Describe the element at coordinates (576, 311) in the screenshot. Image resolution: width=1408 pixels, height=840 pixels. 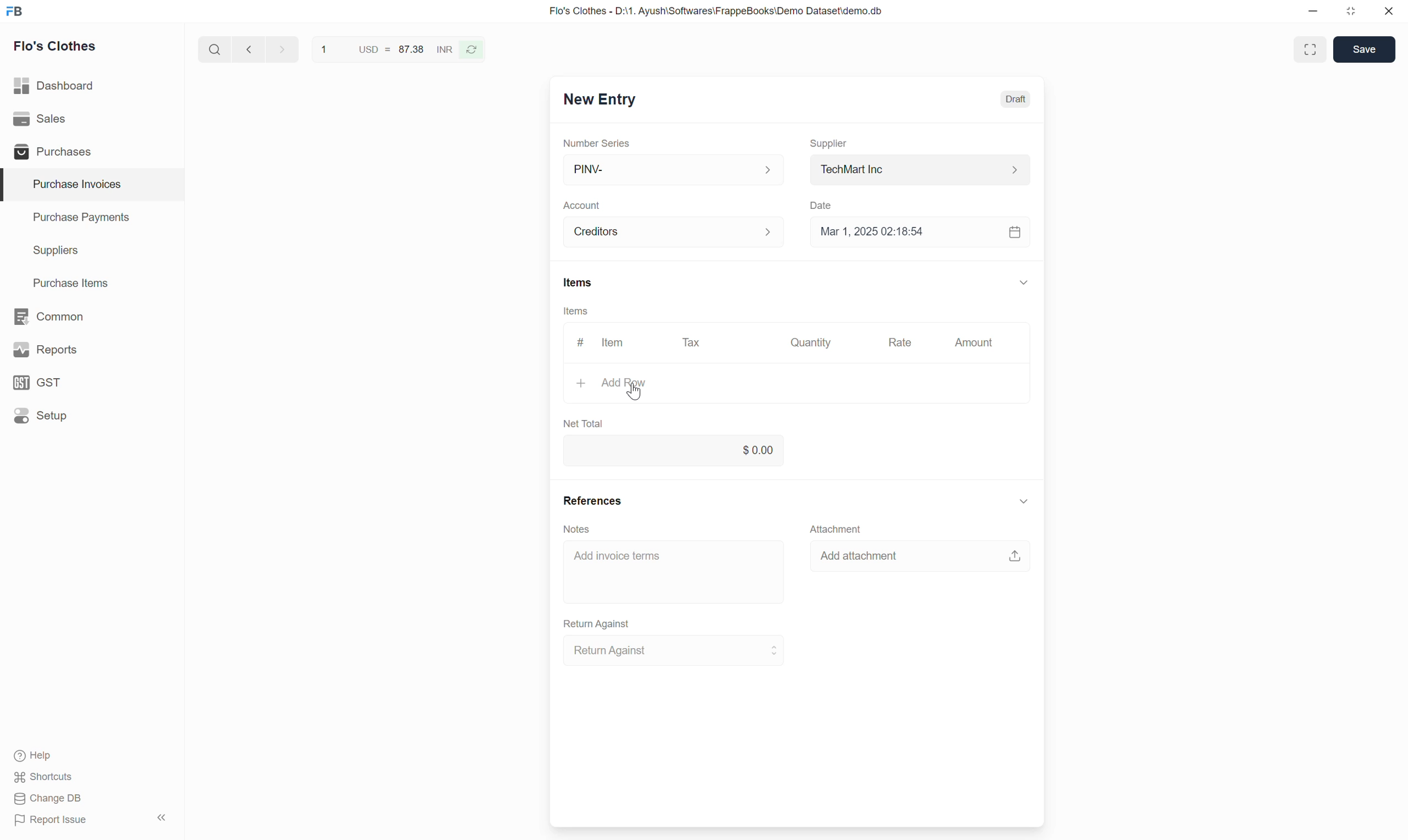
I see `Items` at that location.